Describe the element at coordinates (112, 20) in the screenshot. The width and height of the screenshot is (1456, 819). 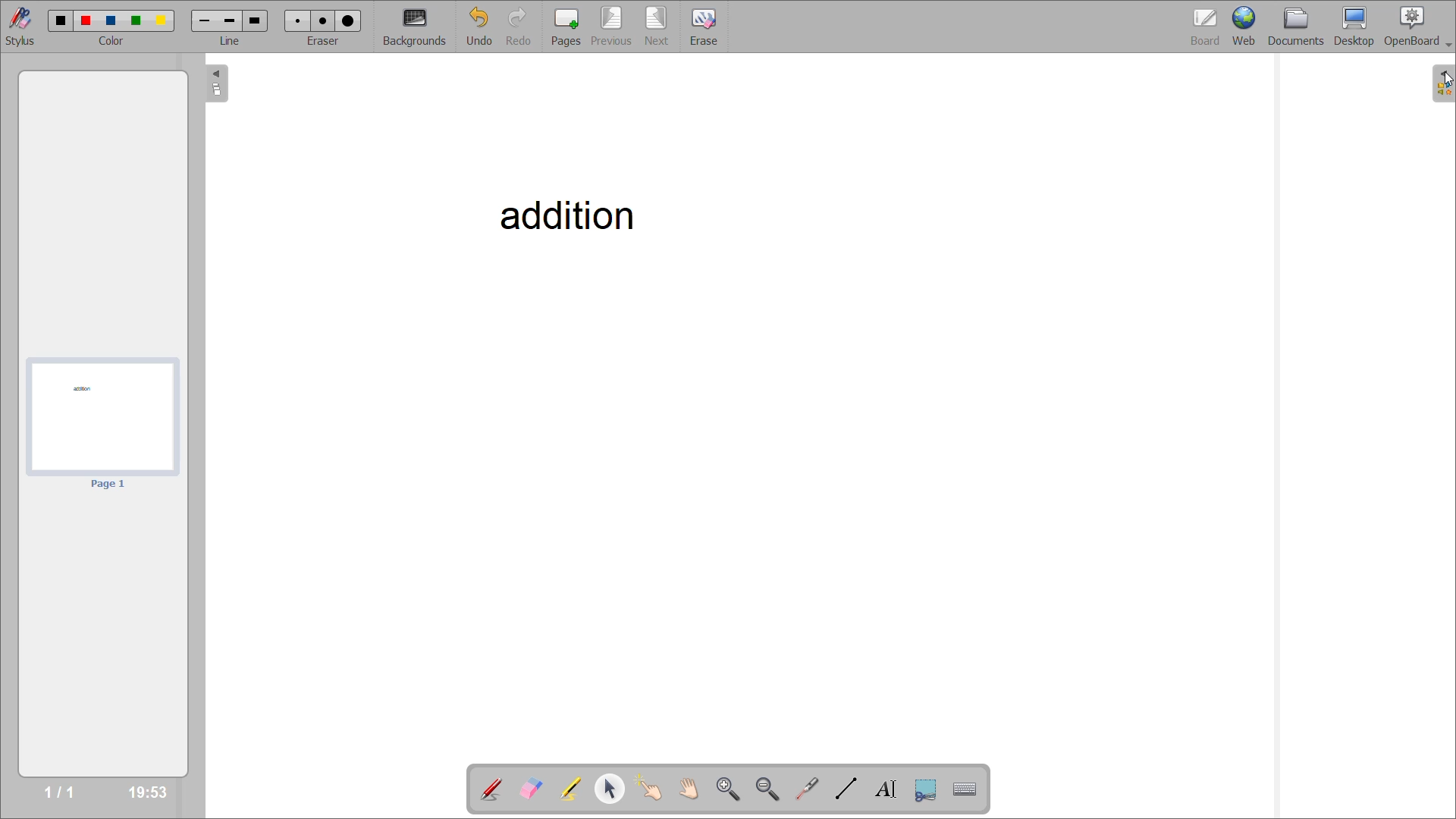
I see `color 3` at that location.